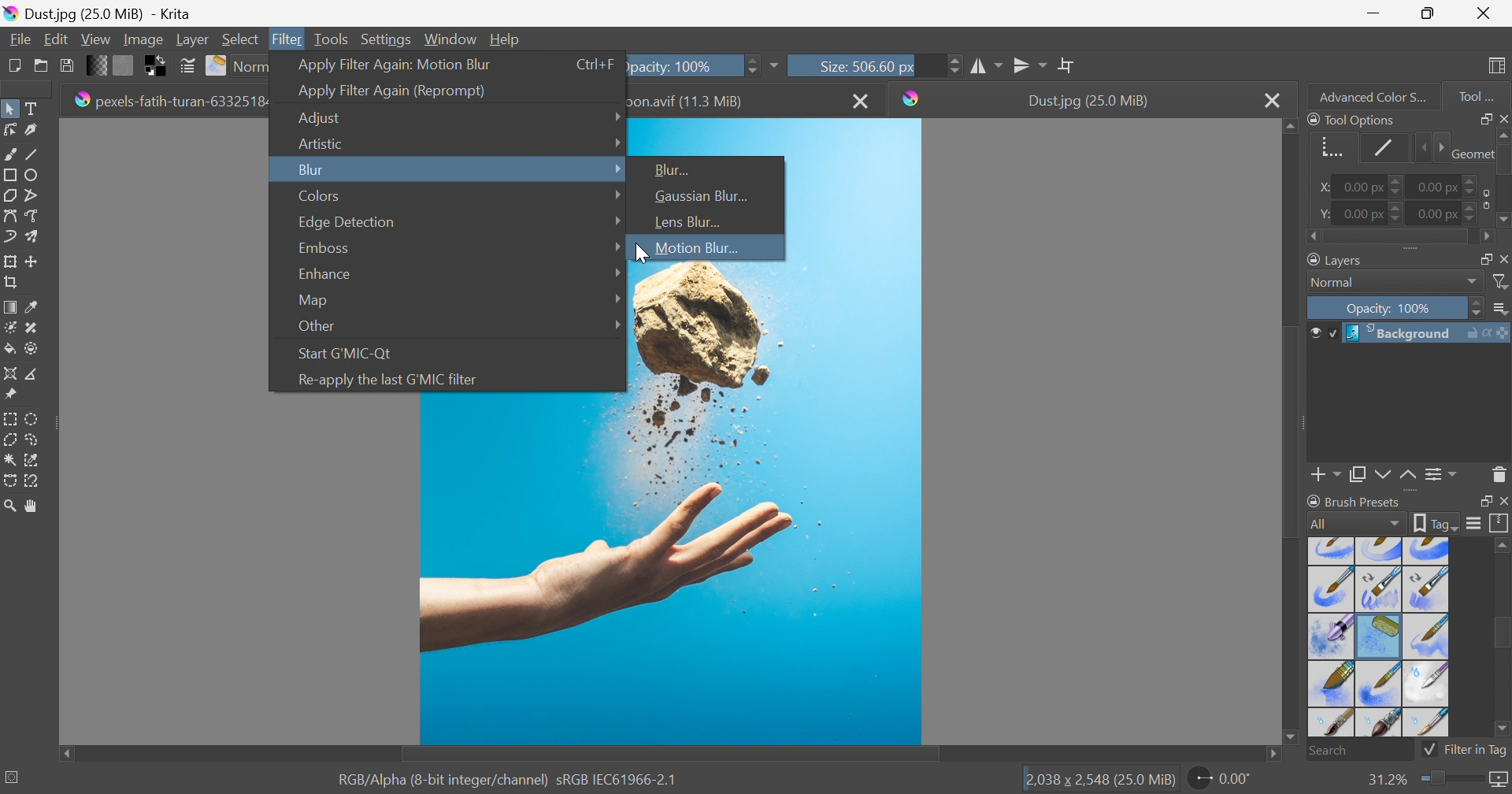 This screenshot has height=794, width=1512. Describe the element at coordinates (1484, 13) in the screenshot. I see `Close` at that location.